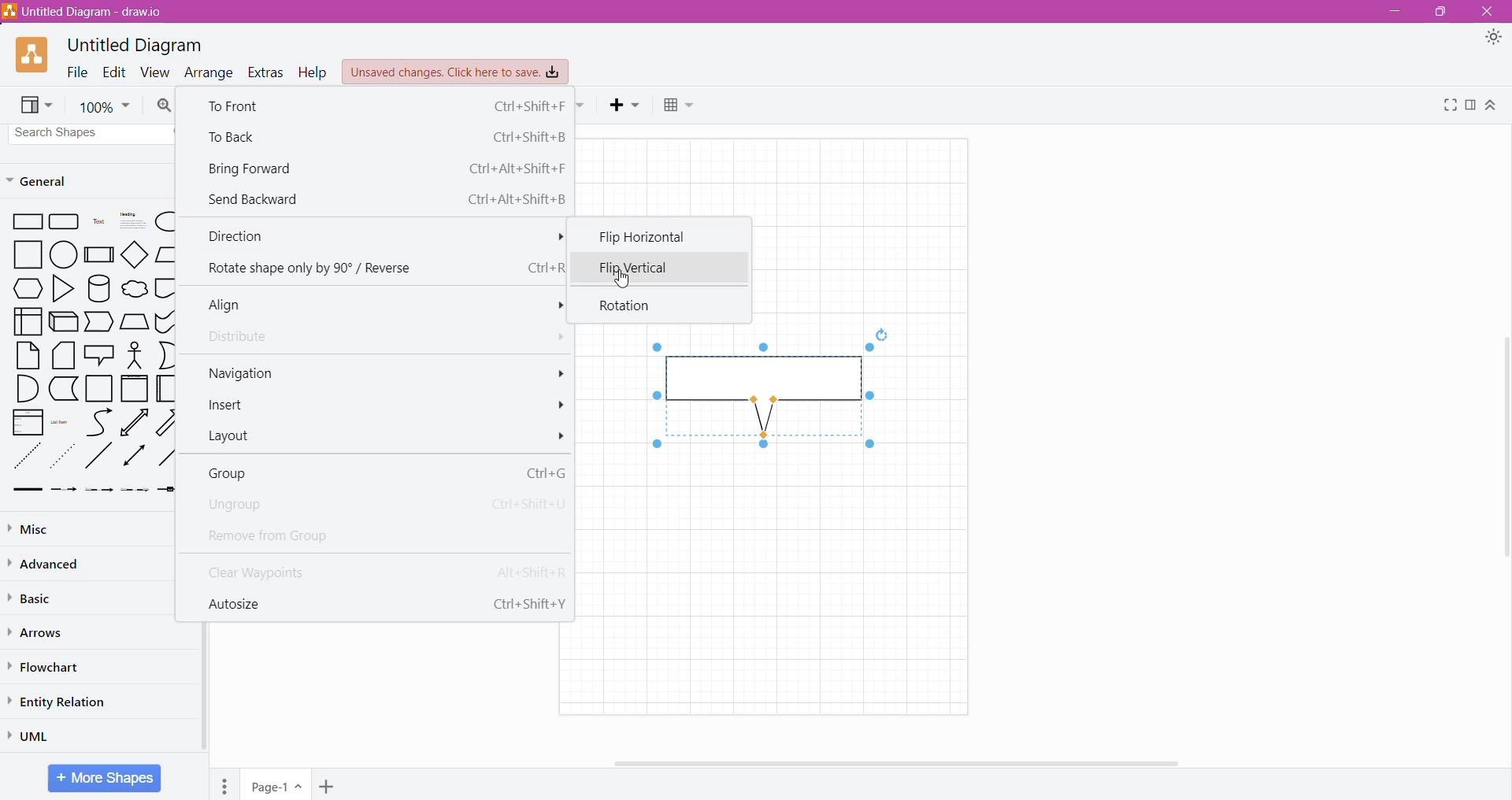 The width and height of the screenshot is (1512, 800). I want to click on Arrow with a Box, so click(166, 490).